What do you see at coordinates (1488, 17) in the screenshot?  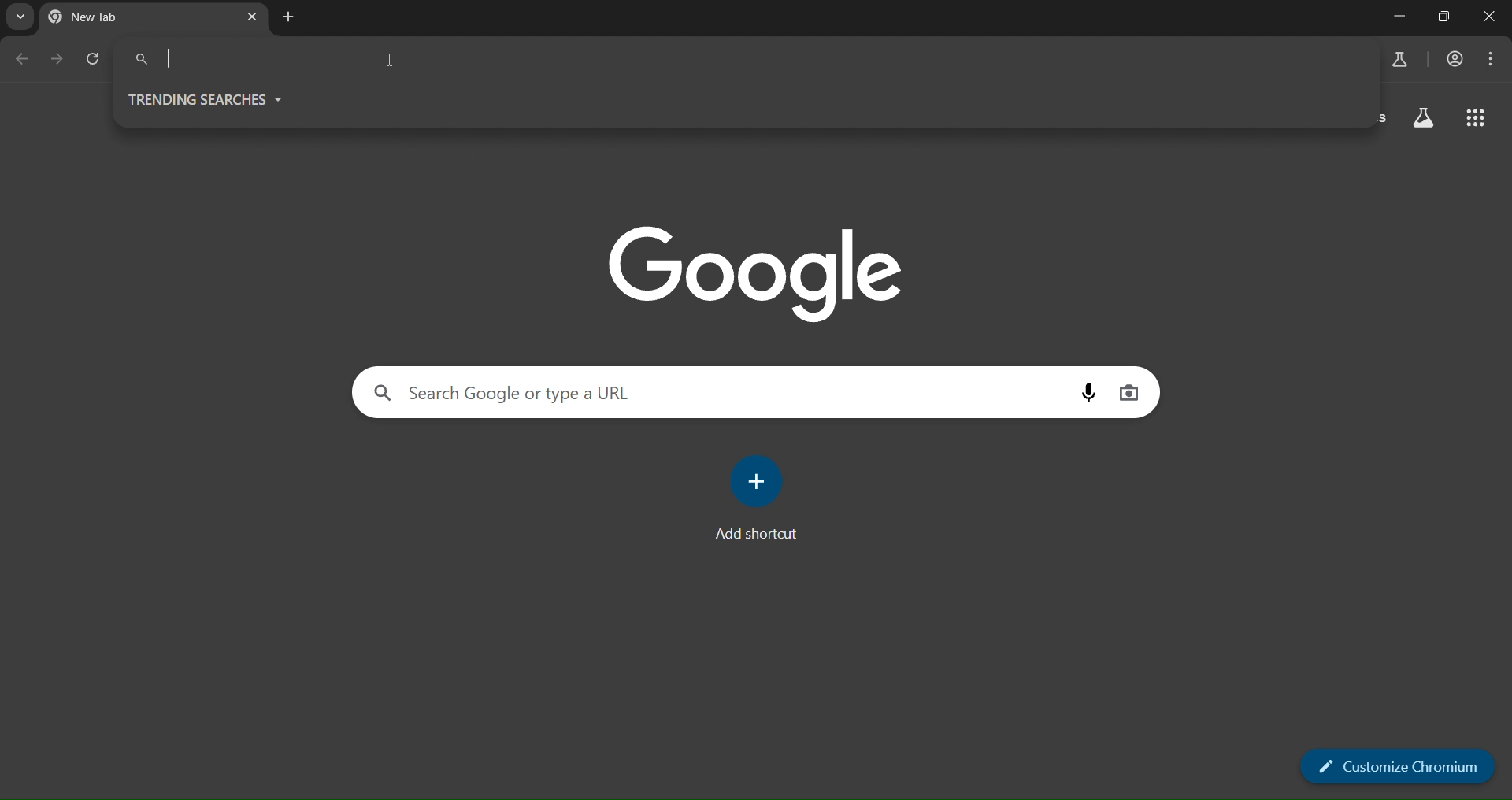 I see `close` at bounding box center [1488, 17].